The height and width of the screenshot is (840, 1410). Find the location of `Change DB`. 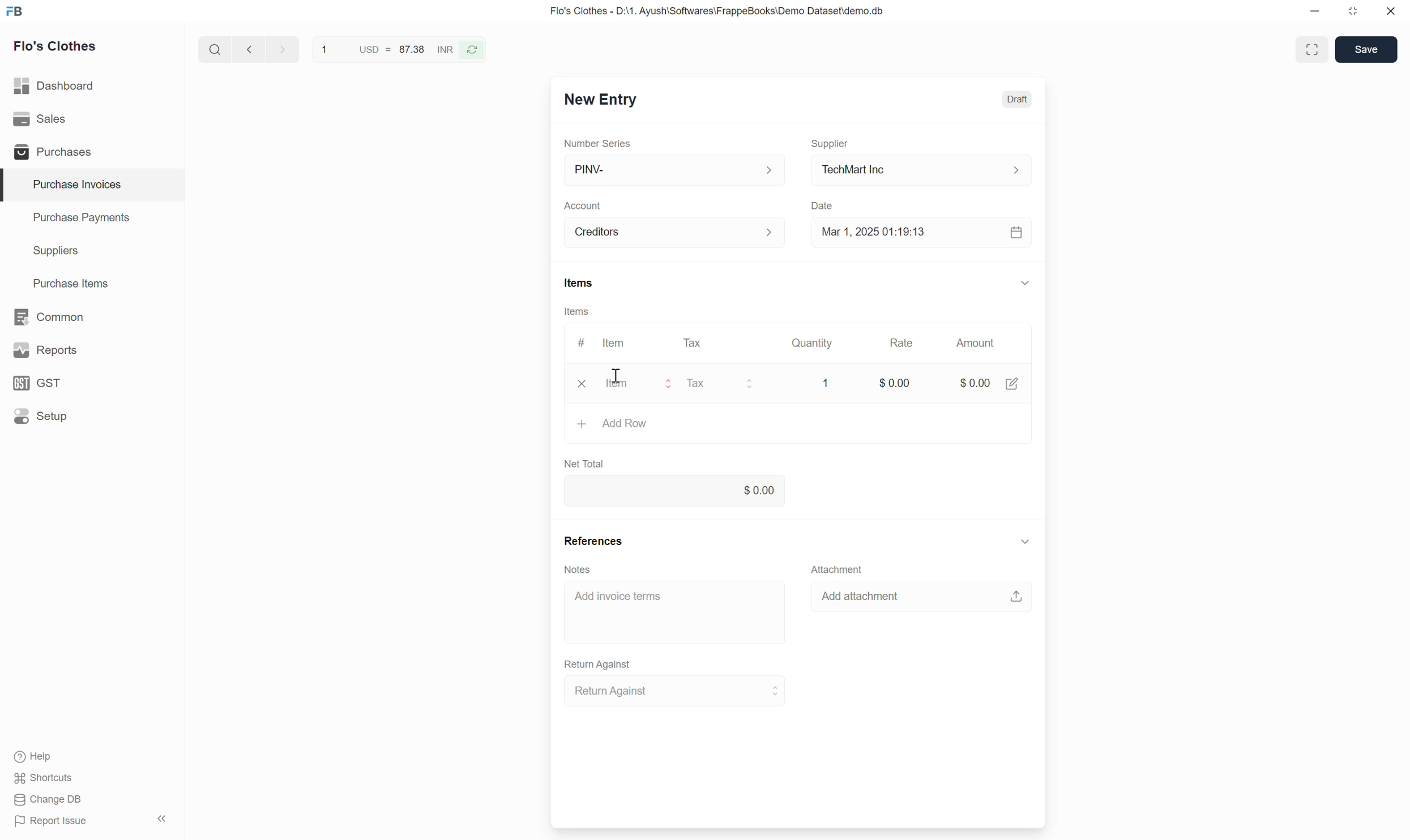

Change DB is located at coordinates (48, 800).